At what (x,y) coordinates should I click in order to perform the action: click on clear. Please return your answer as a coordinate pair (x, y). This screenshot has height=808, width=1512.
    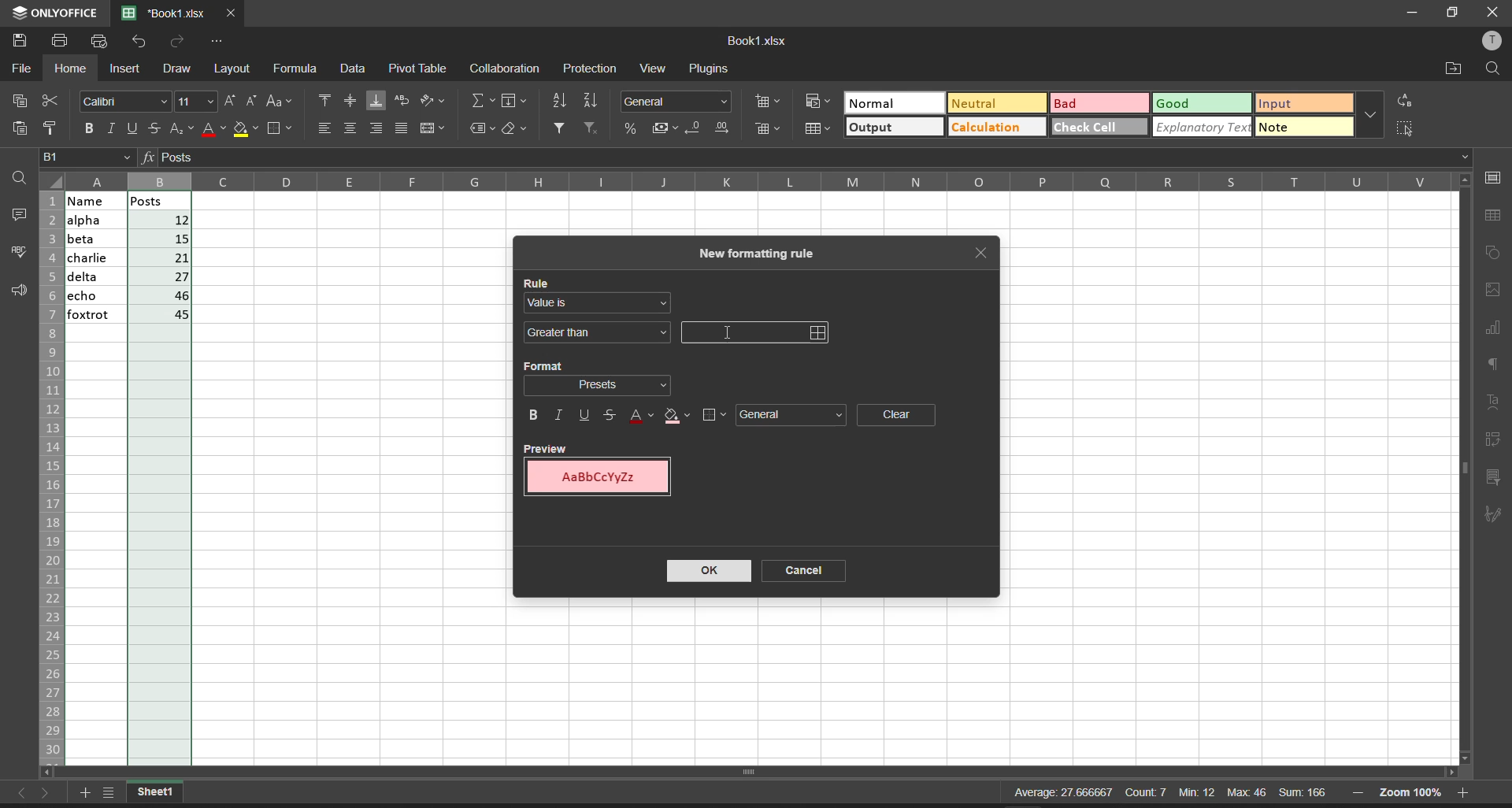
    Looking at the image, I should click on (898, 416).